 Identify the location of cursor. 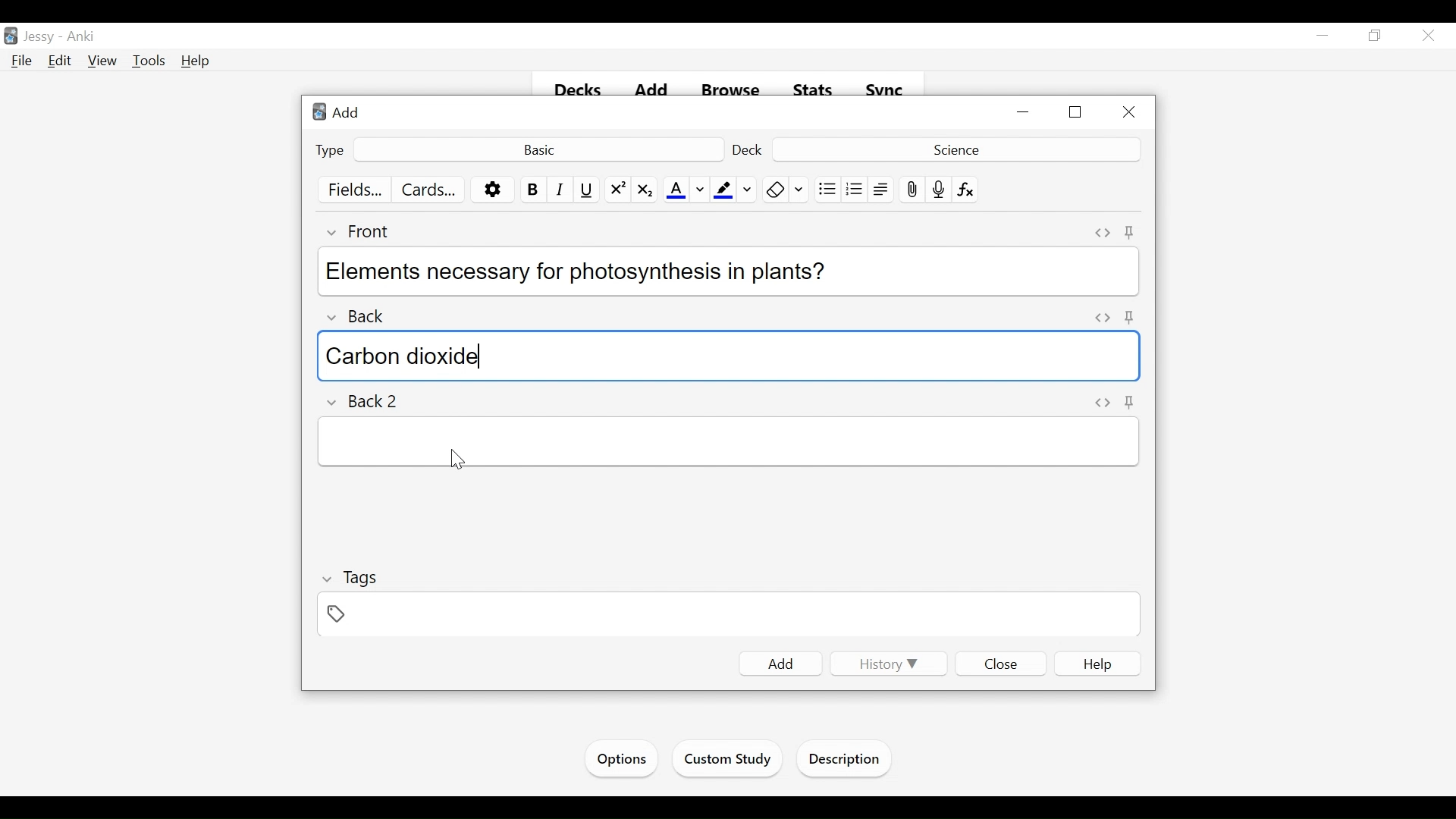
(456, 459).